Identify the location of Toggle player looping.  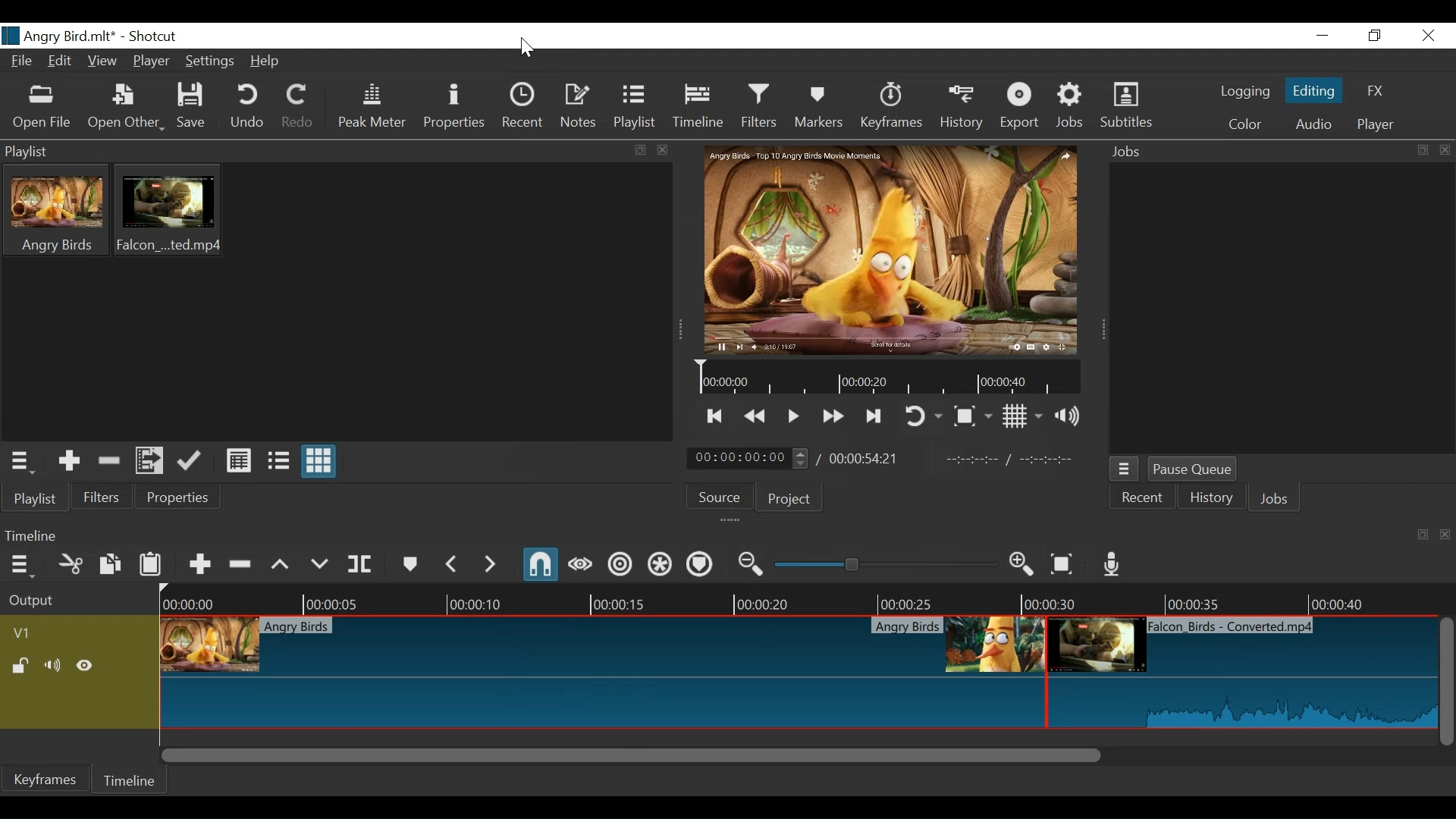
(921, 417).